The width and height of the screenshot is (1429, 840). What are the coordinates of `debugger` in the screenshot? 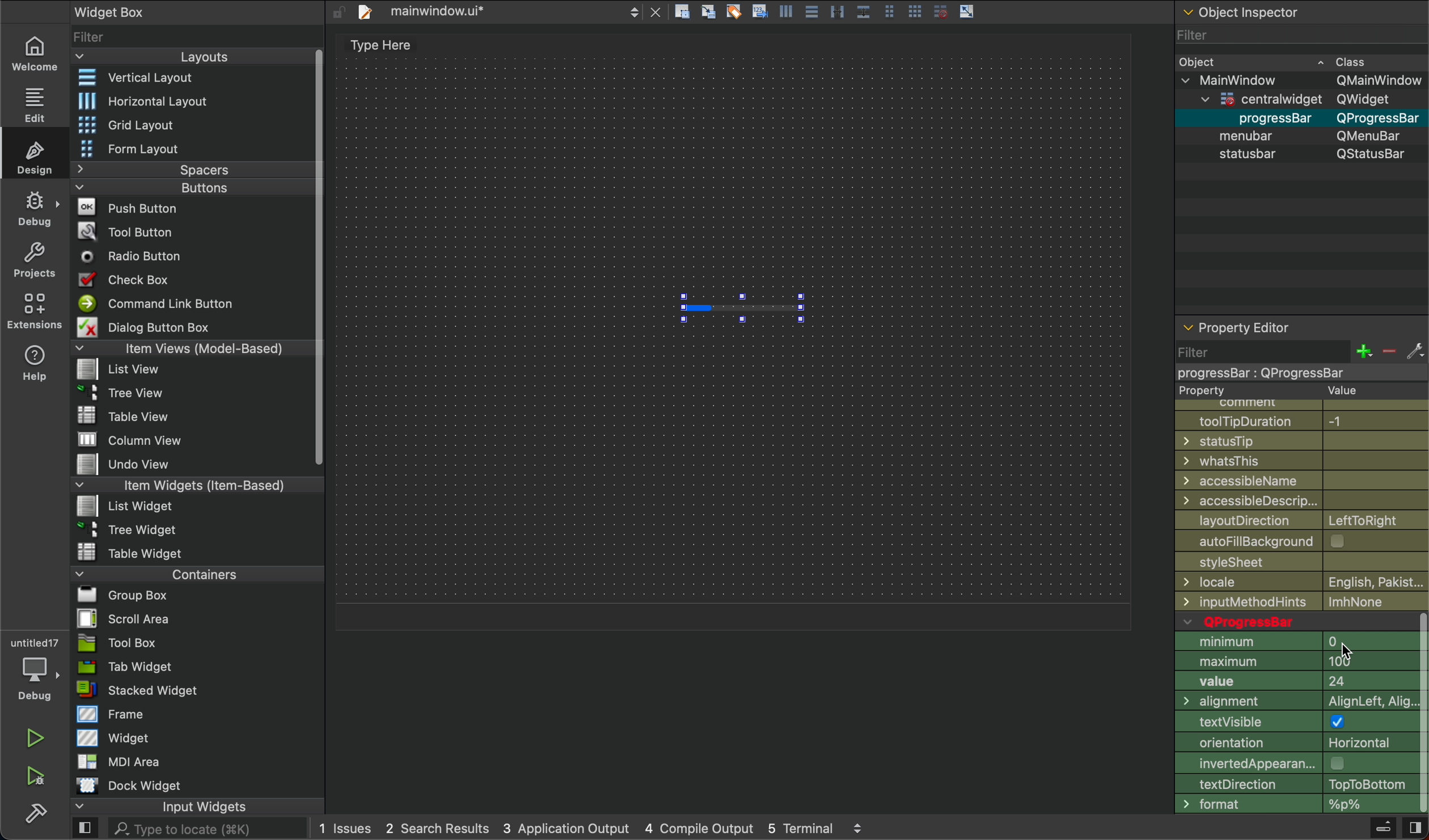 It's located at (34, 667).